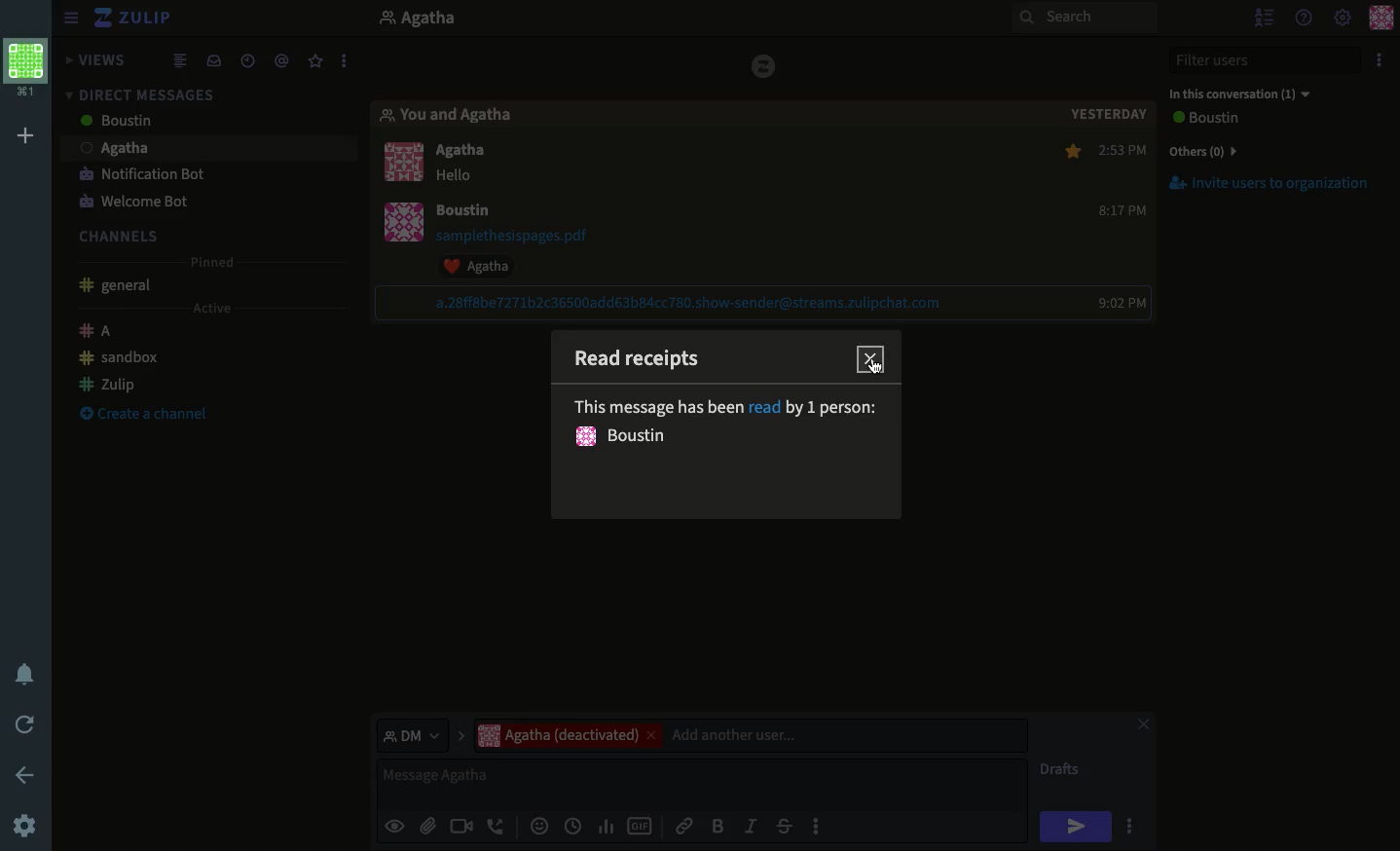 The width and height of the screenshot is (1400, 851). I want to click on Zulip, so click(136, 19).